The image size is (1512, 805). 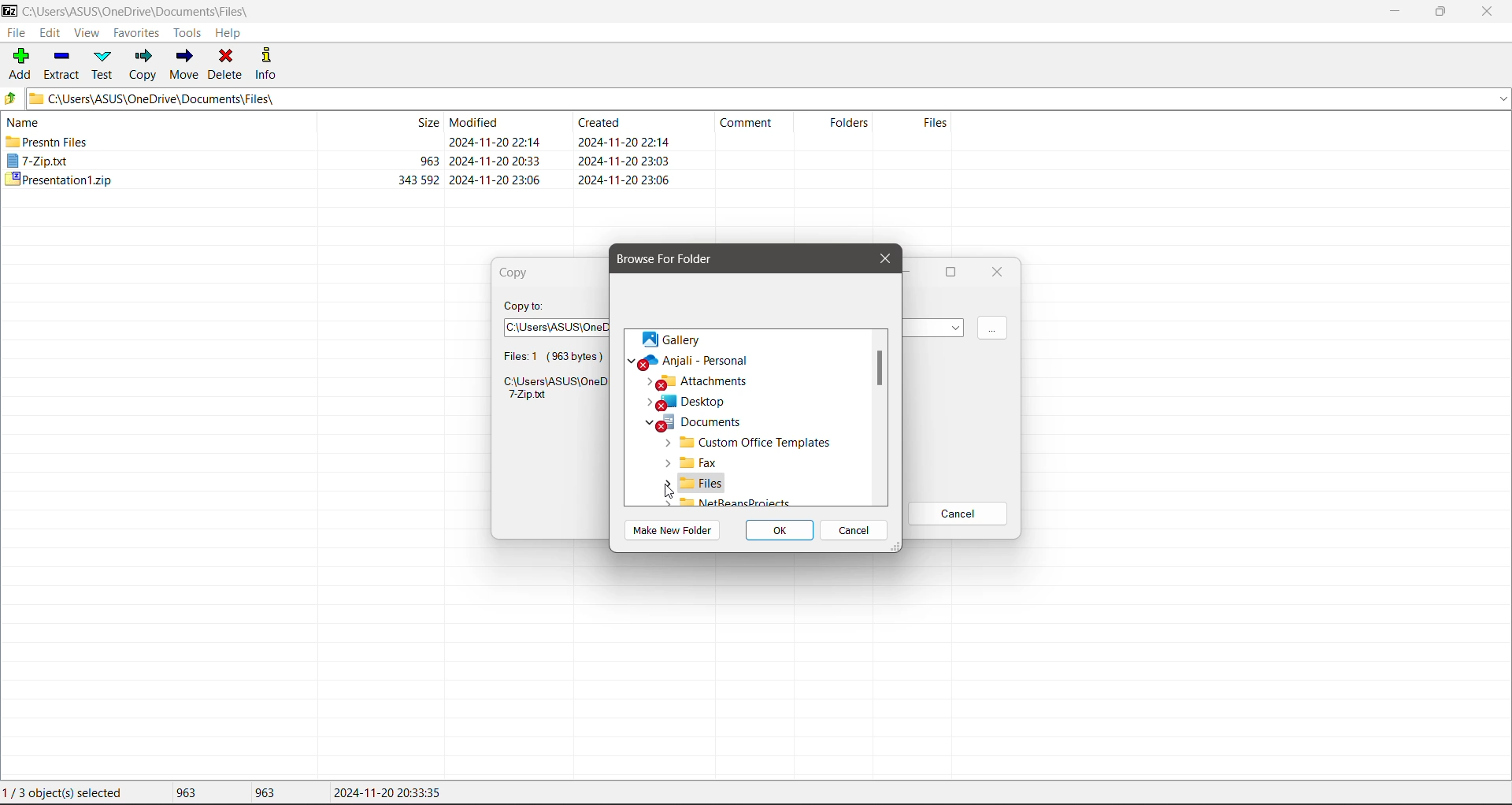 What do you see at coordinates (15, 32) in the screenshot?
I see `File` at bounding box center [15, 32].